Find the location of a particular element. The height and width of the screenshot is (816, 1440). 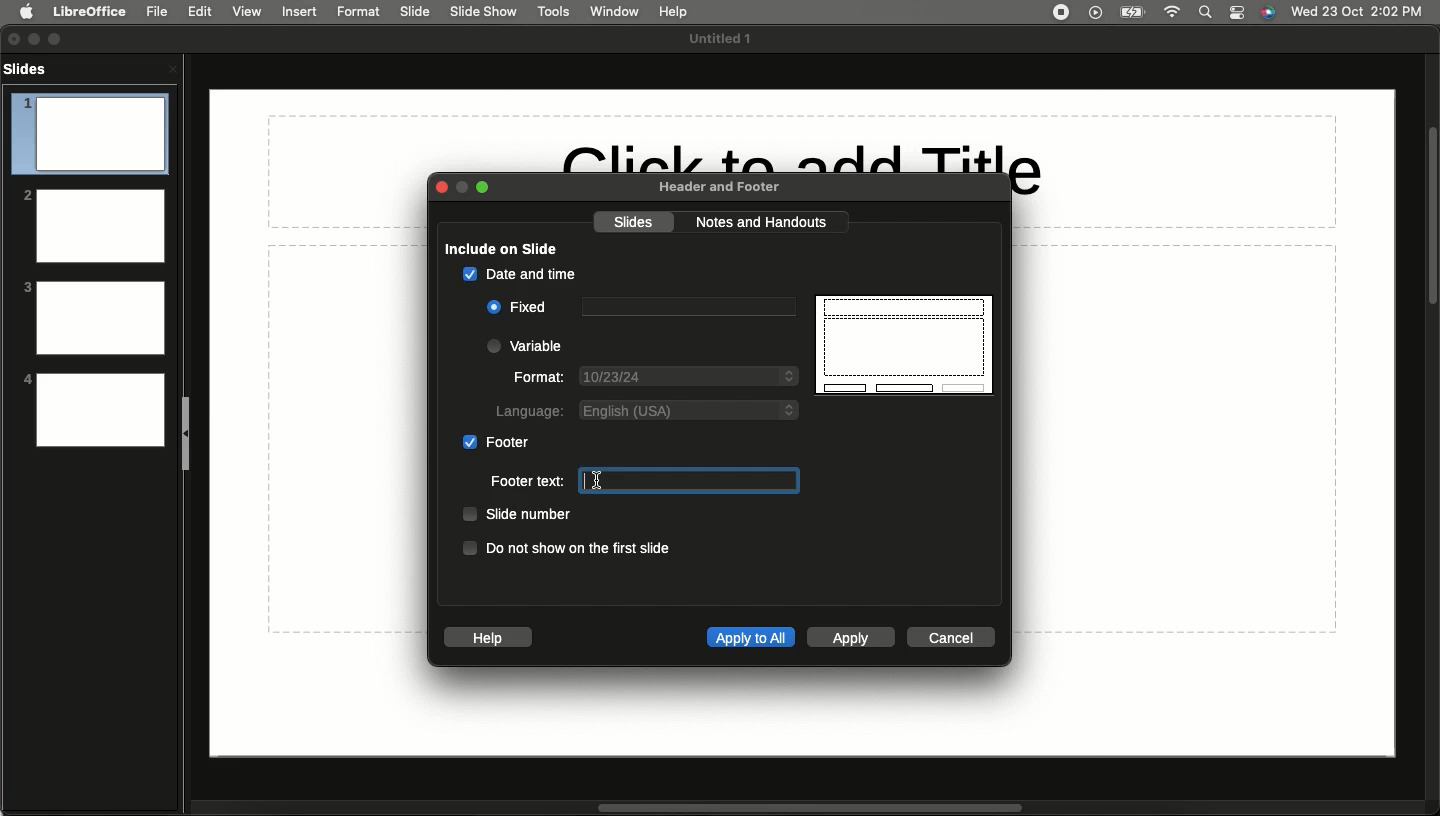

2 is located at coordinates (92, 224).